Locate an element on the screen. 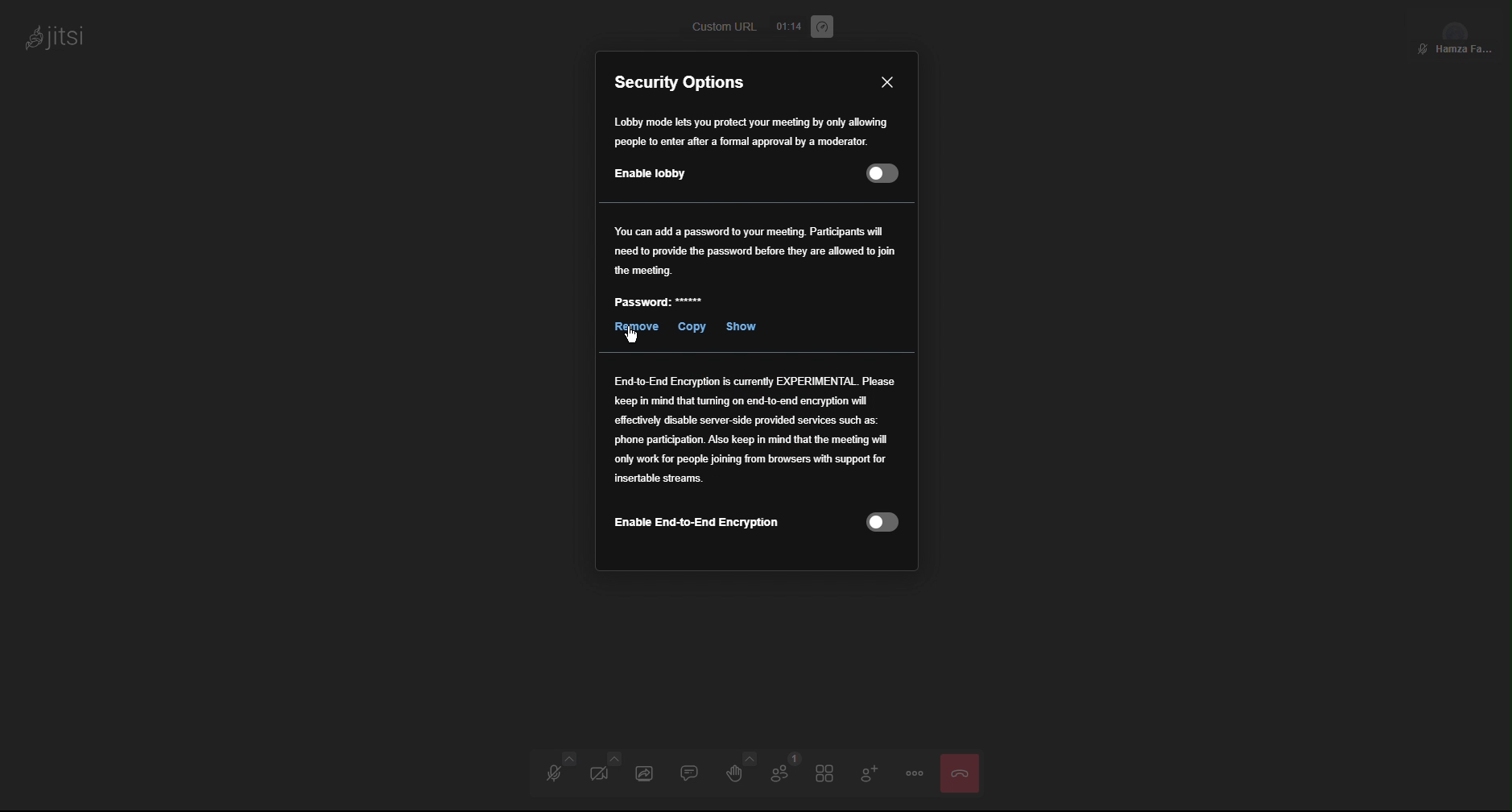 The height and width of the screenshot is (812, 1512). Enable Lobby is located at coordinates (751, 173).